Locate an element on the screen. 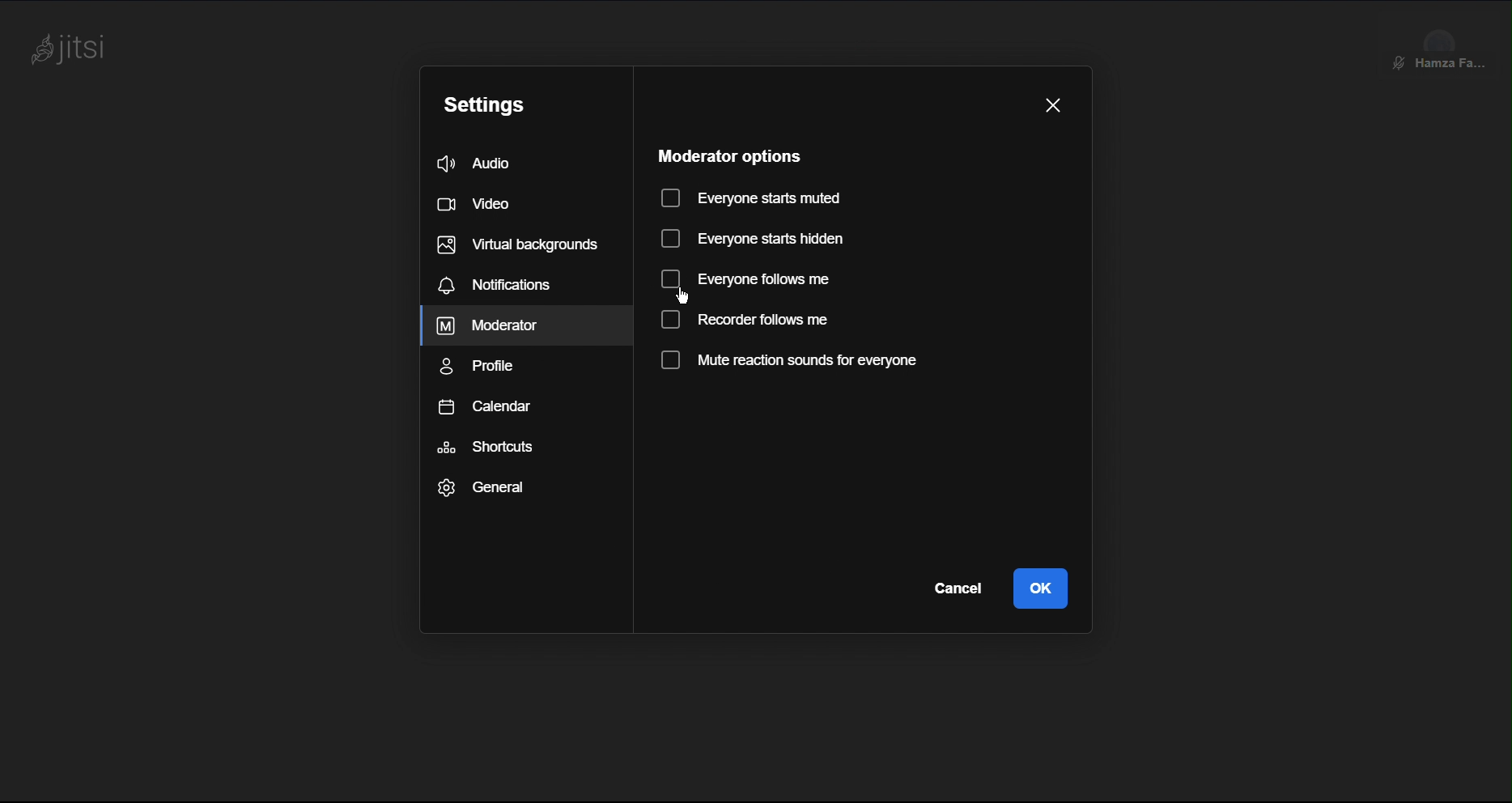  Recorder follows me is located at coordinates (749, 321).